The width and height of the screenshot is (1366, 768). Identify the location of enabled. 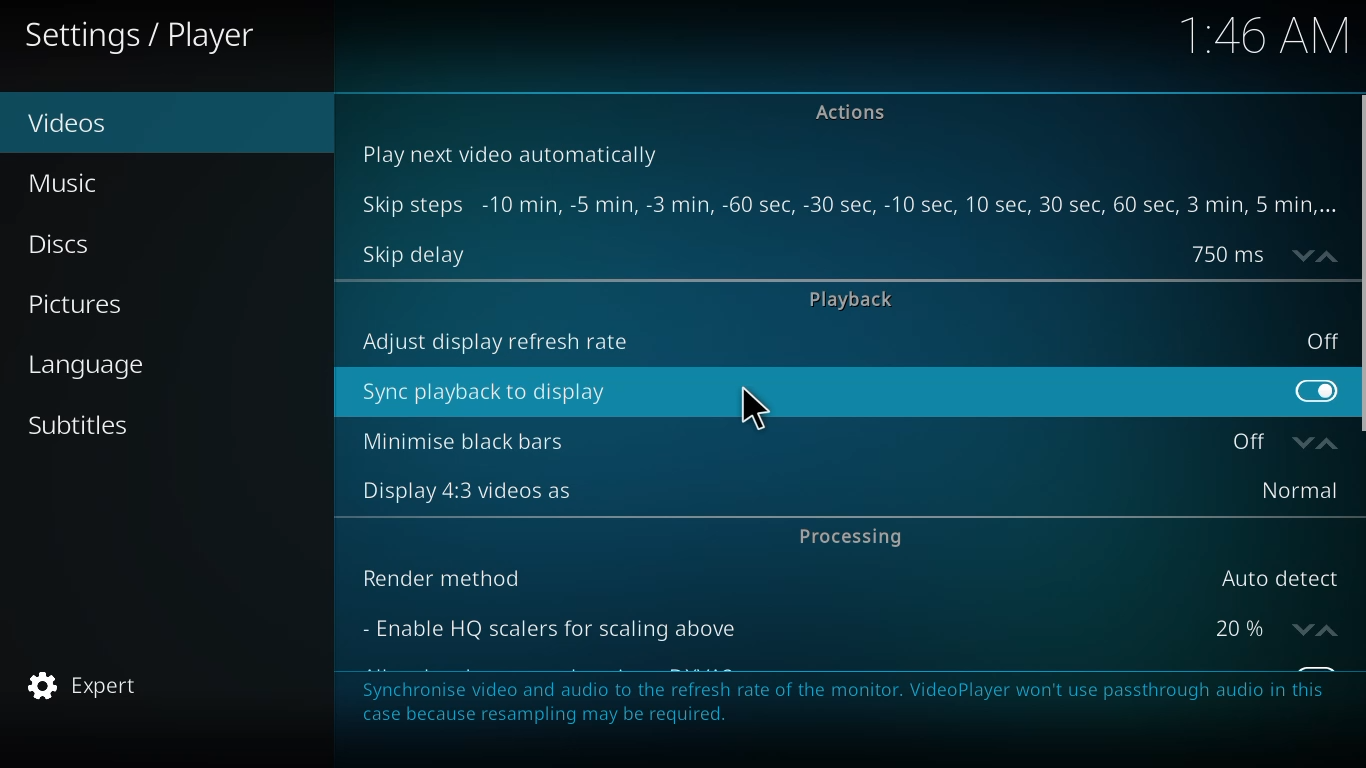
(1313, 390).